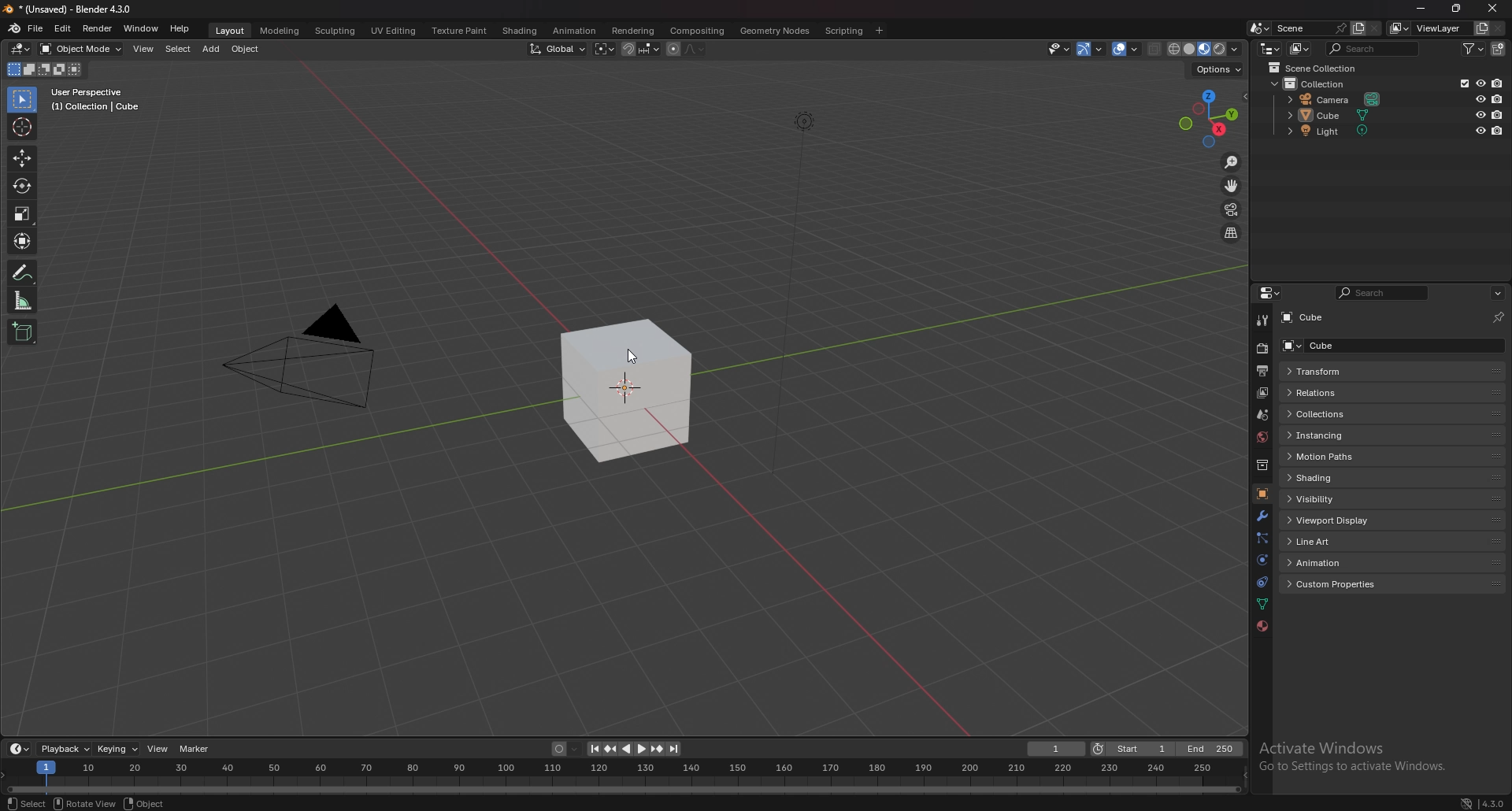 This screenshot has height=811, width=1512. Describe the element at coordinates (634, 31) in the screenshot. I see `rendering` at that location.